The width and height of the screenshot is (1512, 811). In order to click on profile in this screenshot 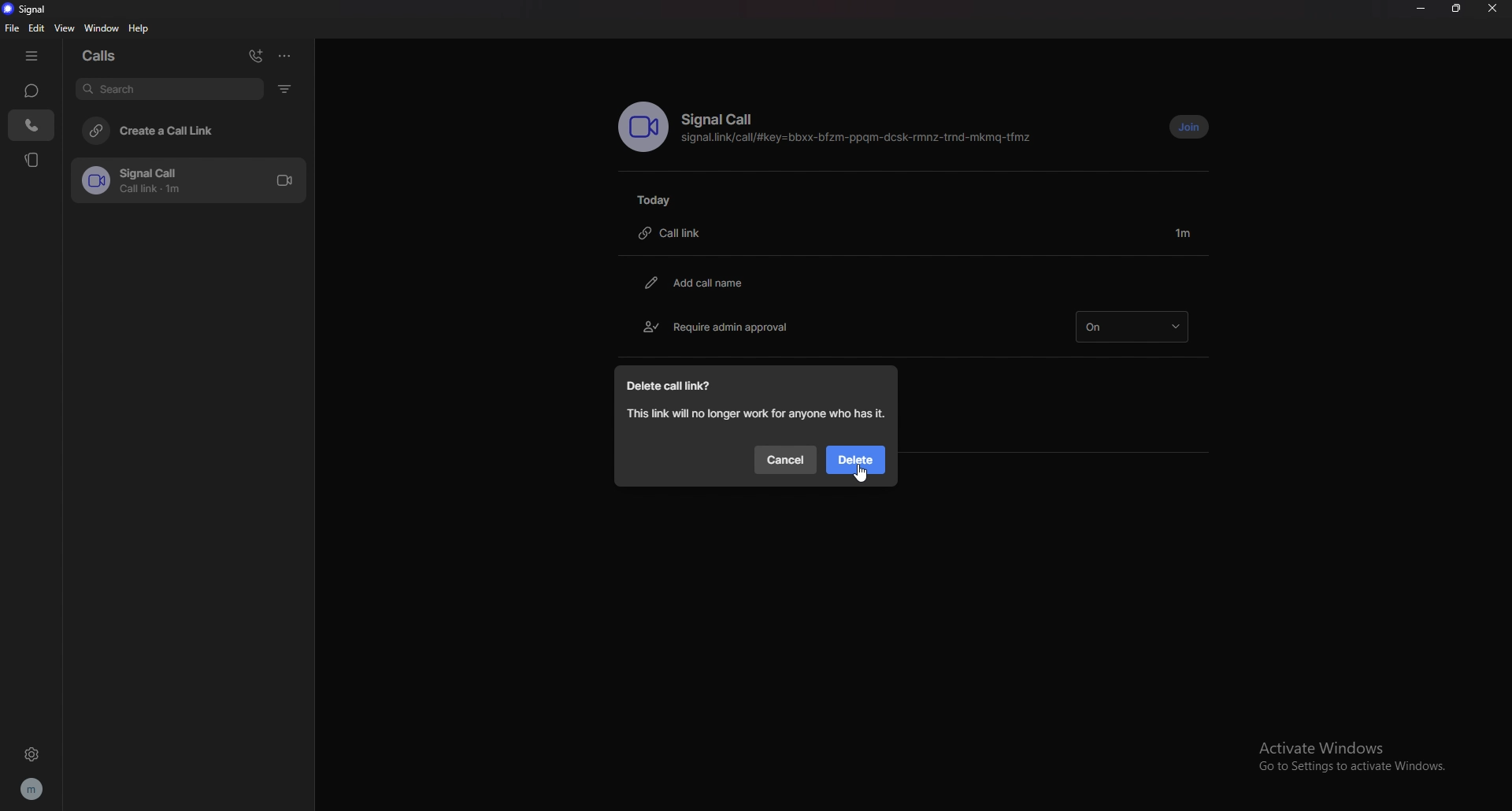, I will do `click(34, 789)`.